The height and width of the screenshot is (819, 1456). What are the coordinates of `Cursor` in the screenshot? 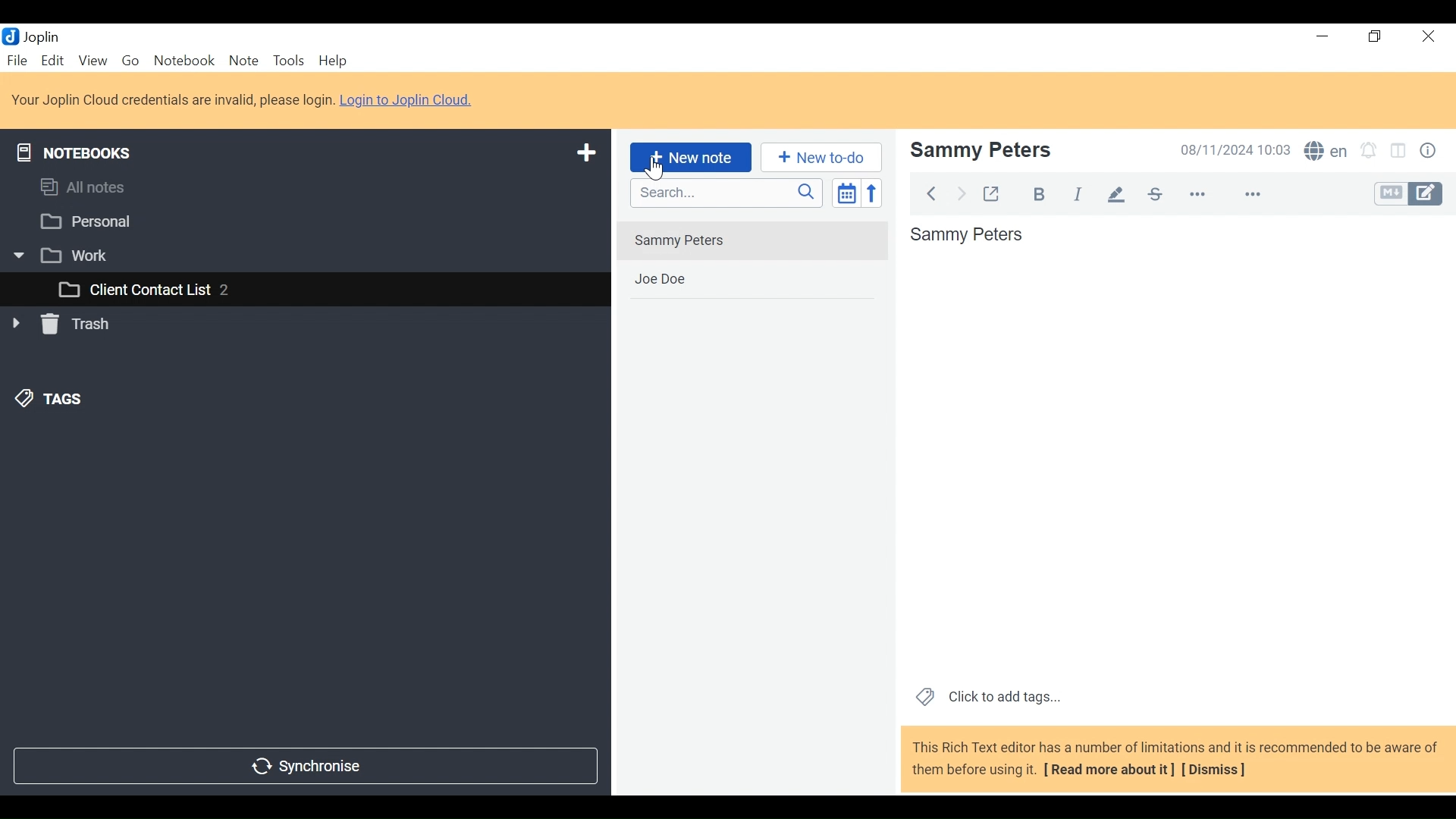 It's located at (658, 170).